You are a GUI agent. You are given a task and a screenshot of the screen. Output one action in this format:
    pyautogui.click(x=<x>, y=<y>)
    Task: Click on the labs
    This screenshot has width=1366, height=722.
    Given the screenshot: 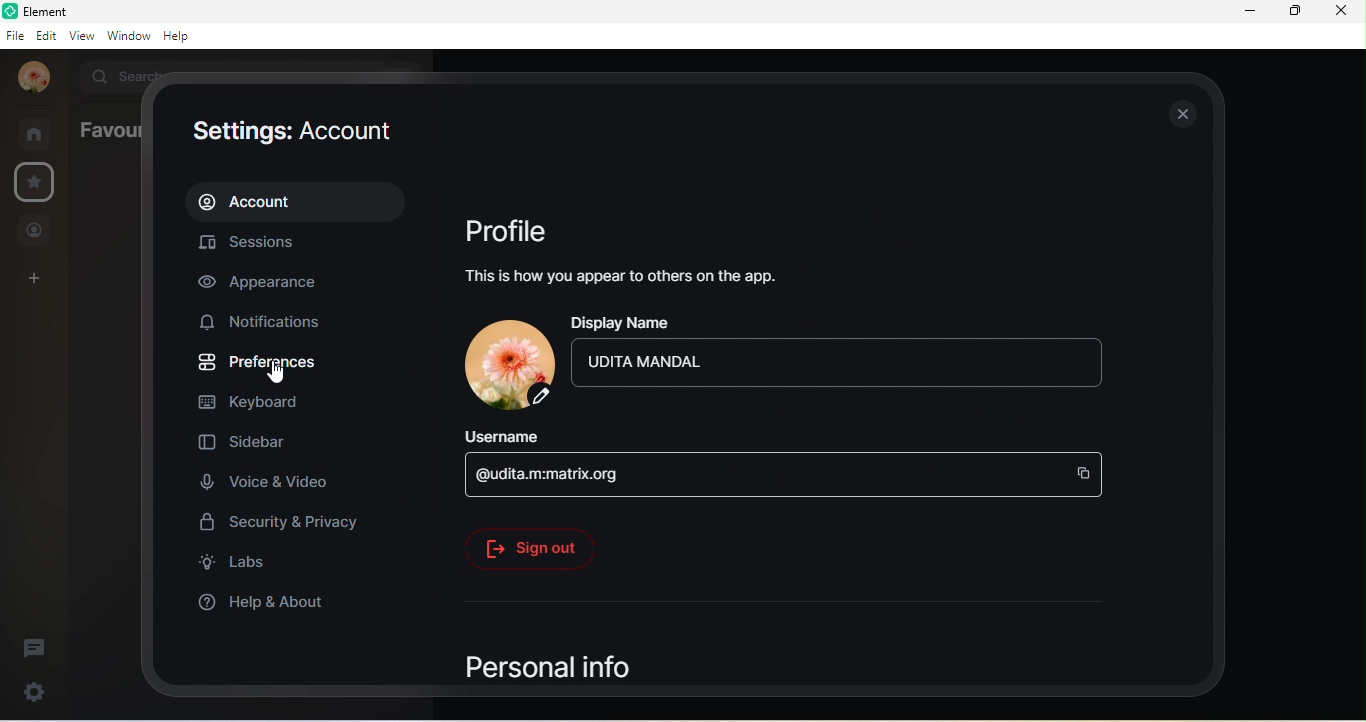 What is the action you would take?
    pyautogui.click(x=244, y=567)
    